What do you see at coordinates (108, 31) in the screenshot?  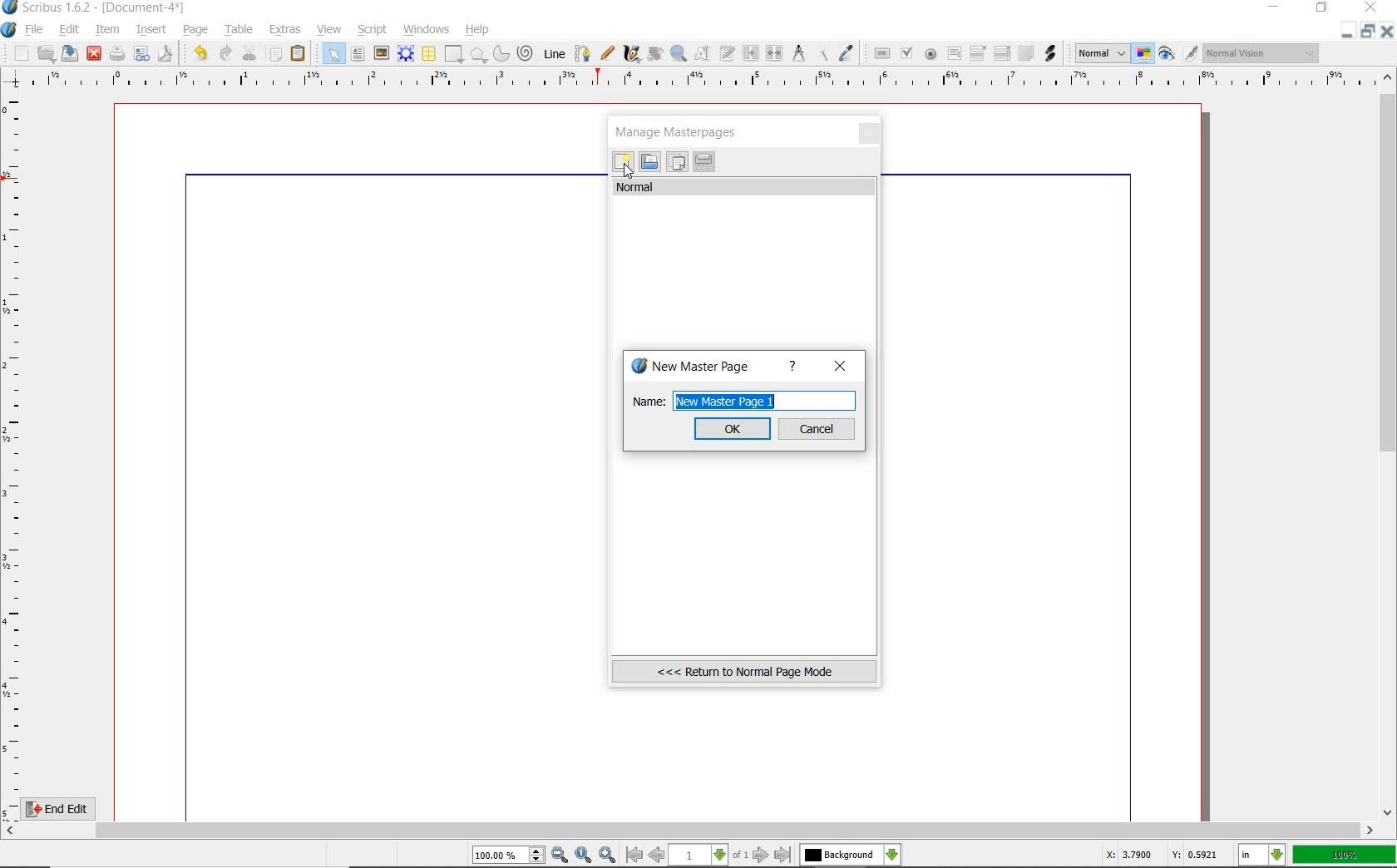 I see `item` at bounding box center [108, 31].